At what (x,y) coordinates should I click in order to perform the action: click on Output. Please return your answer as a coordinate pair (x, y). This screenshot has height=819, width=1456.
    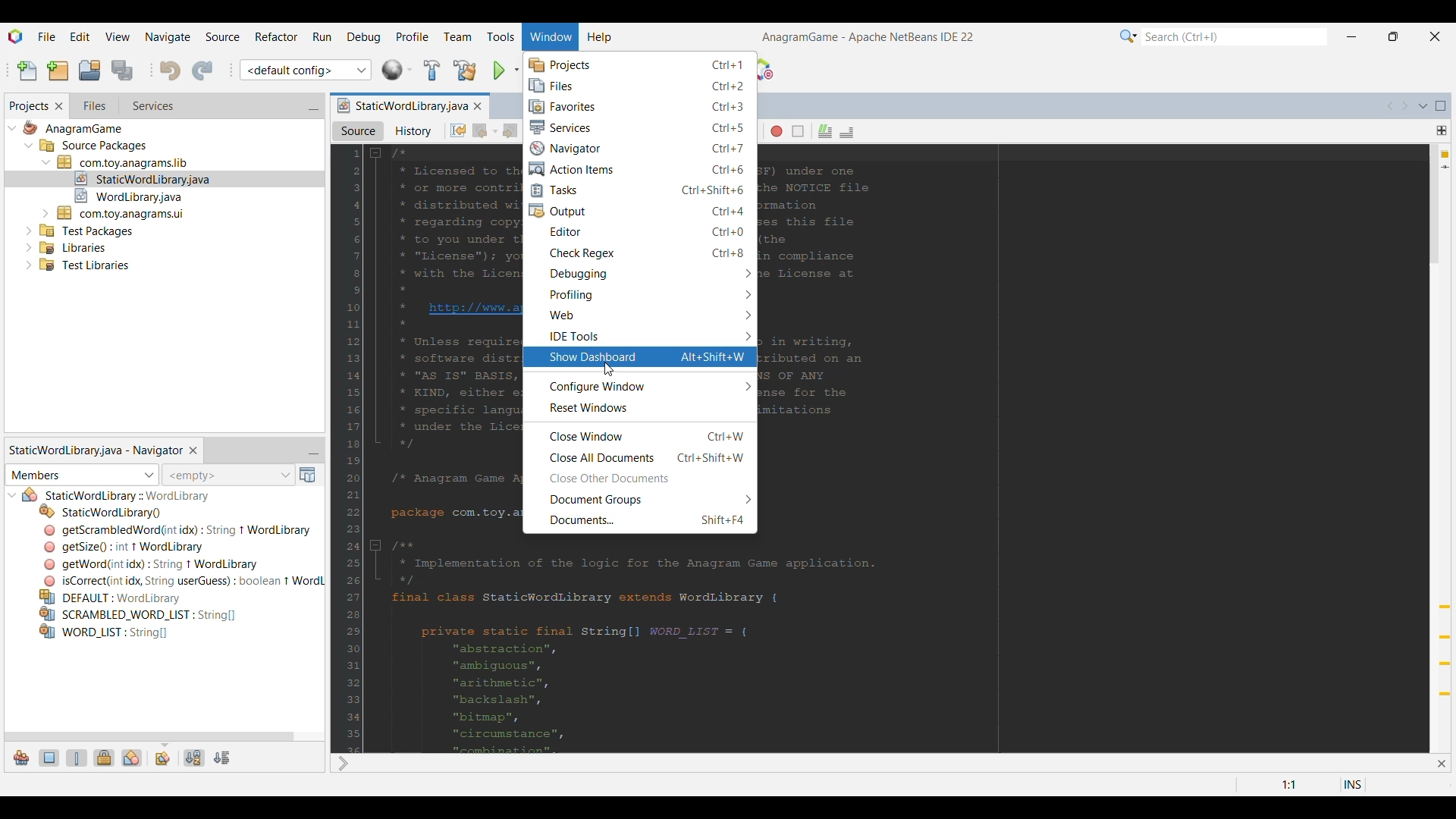
    Looking at the image, I should click on (639, 211).